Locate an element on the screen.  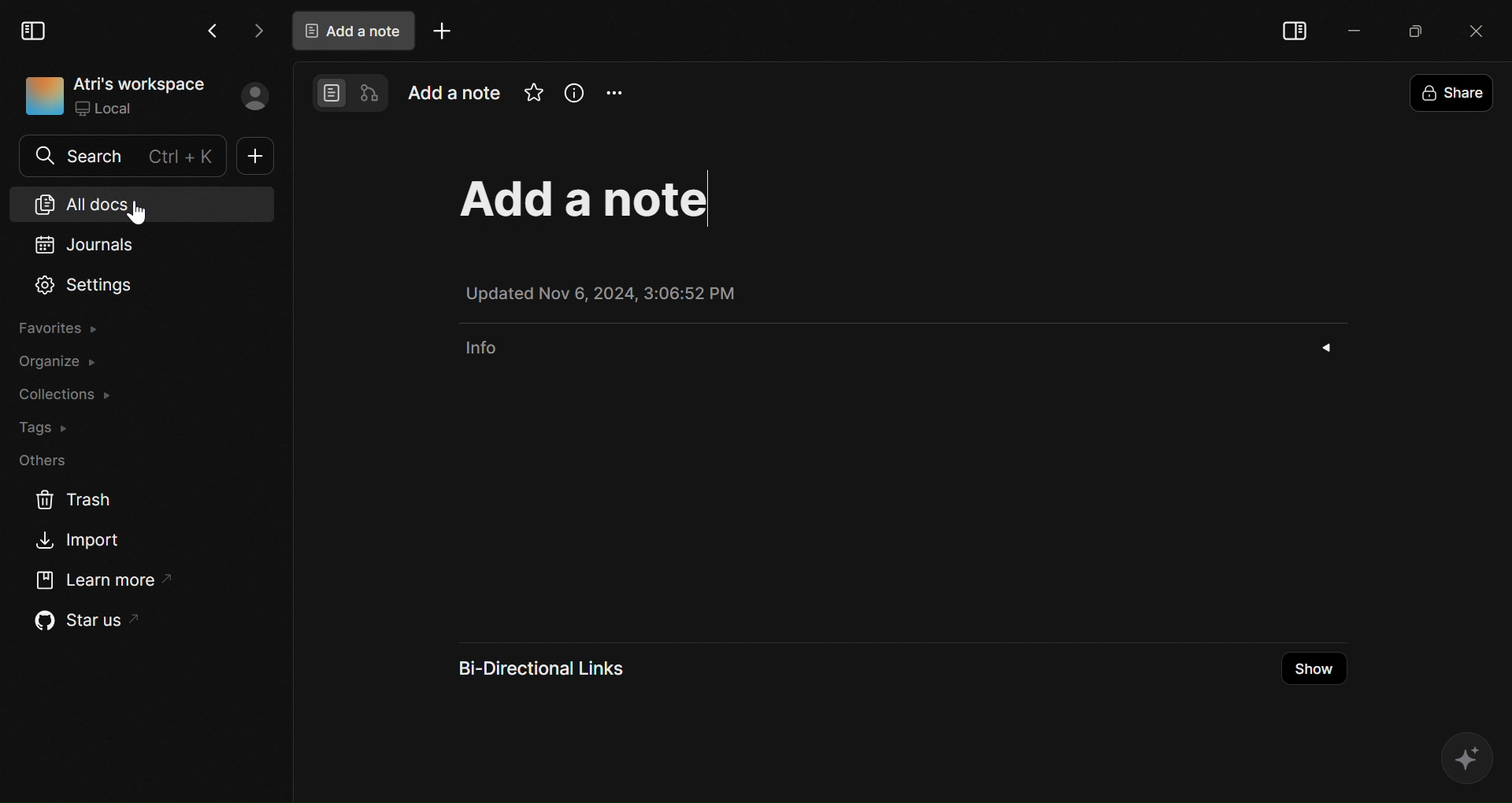
Affine AI is located at coordinates (1463, 758).